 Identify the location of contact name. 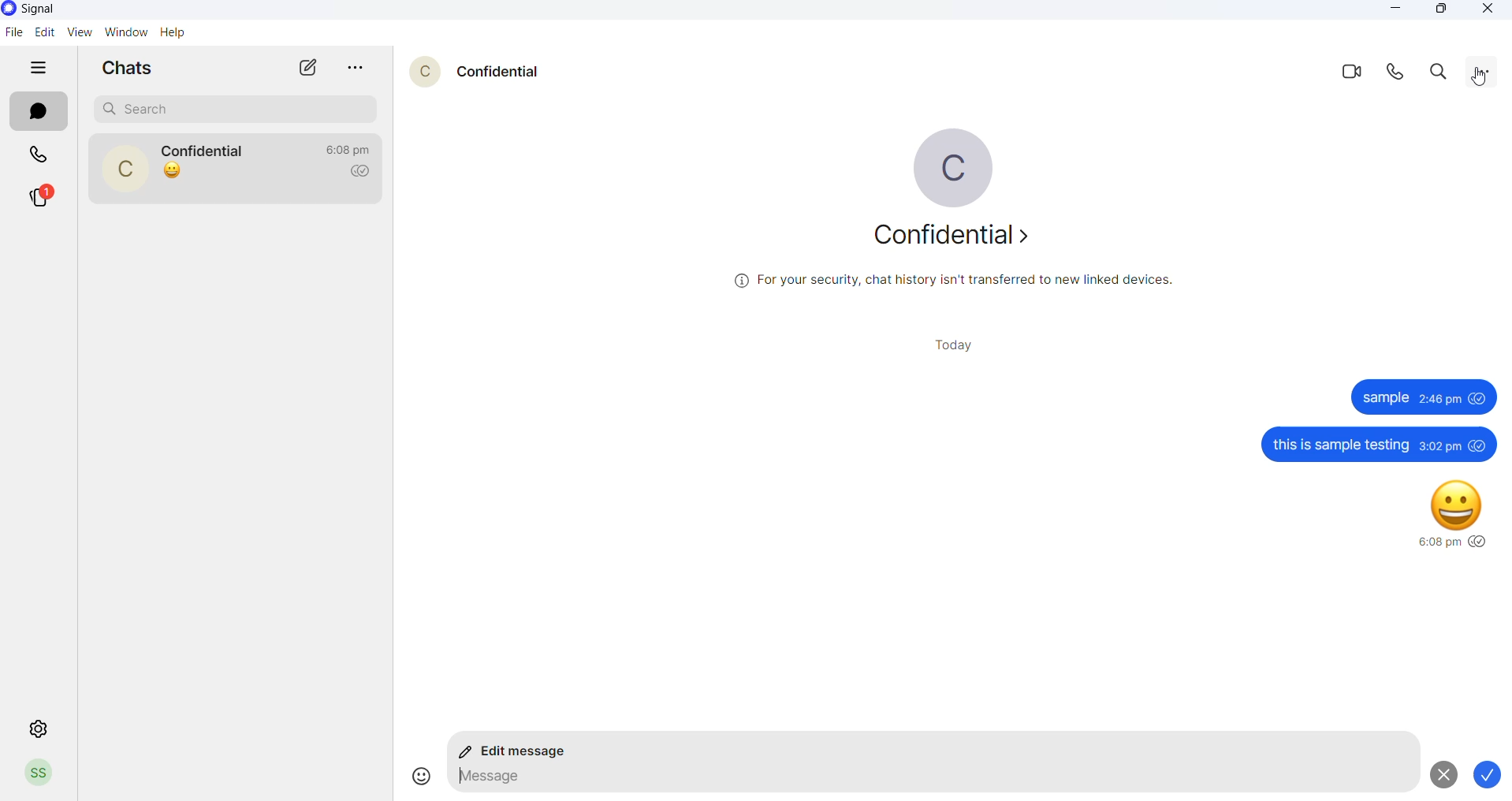
(208, 149).